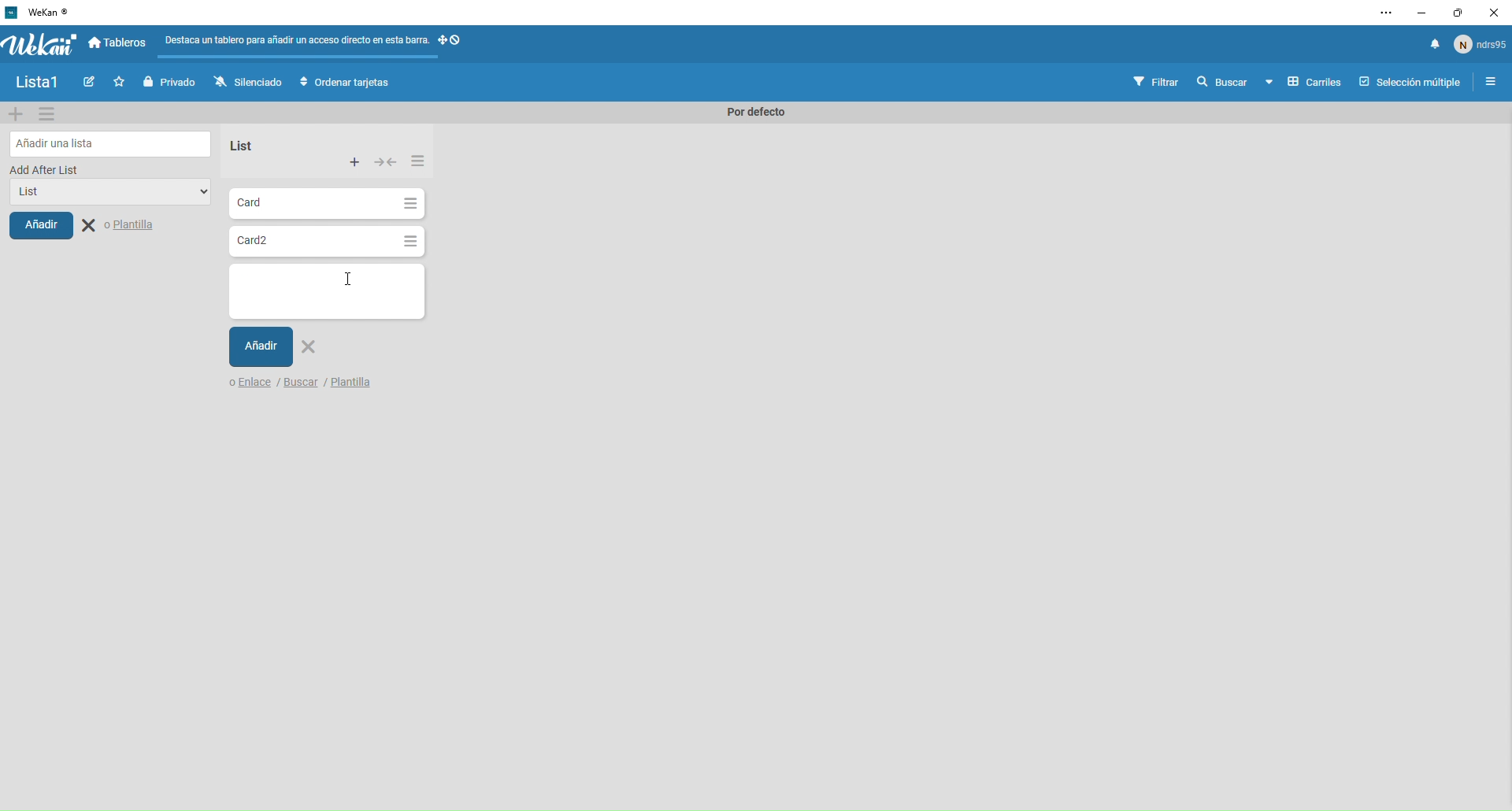  I want to click on More, so click(355, 163).